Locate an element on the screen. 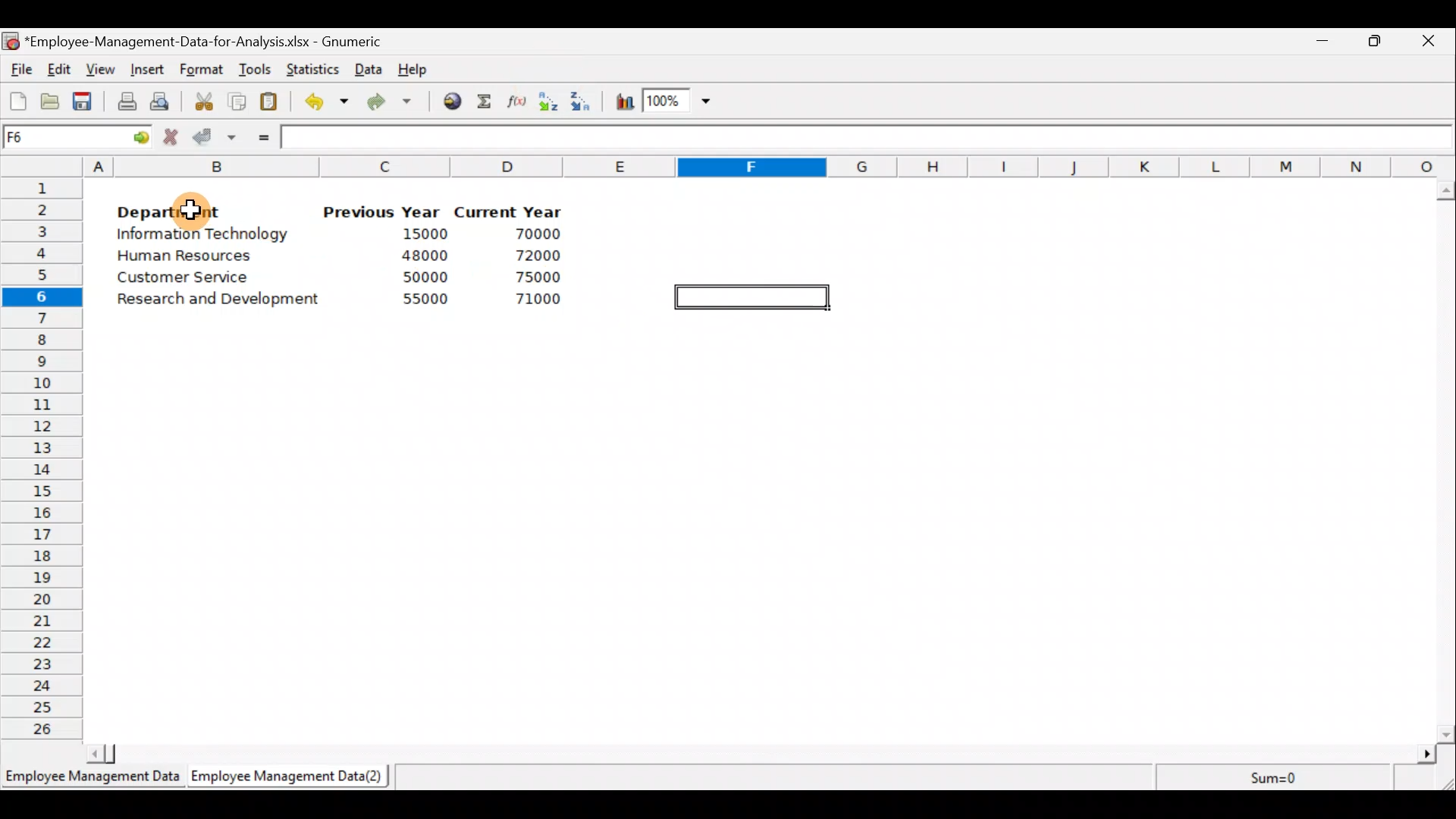 The height and width of the screenshot is (819, 1456). Save the current workbook is located at coordinates (87, 104).